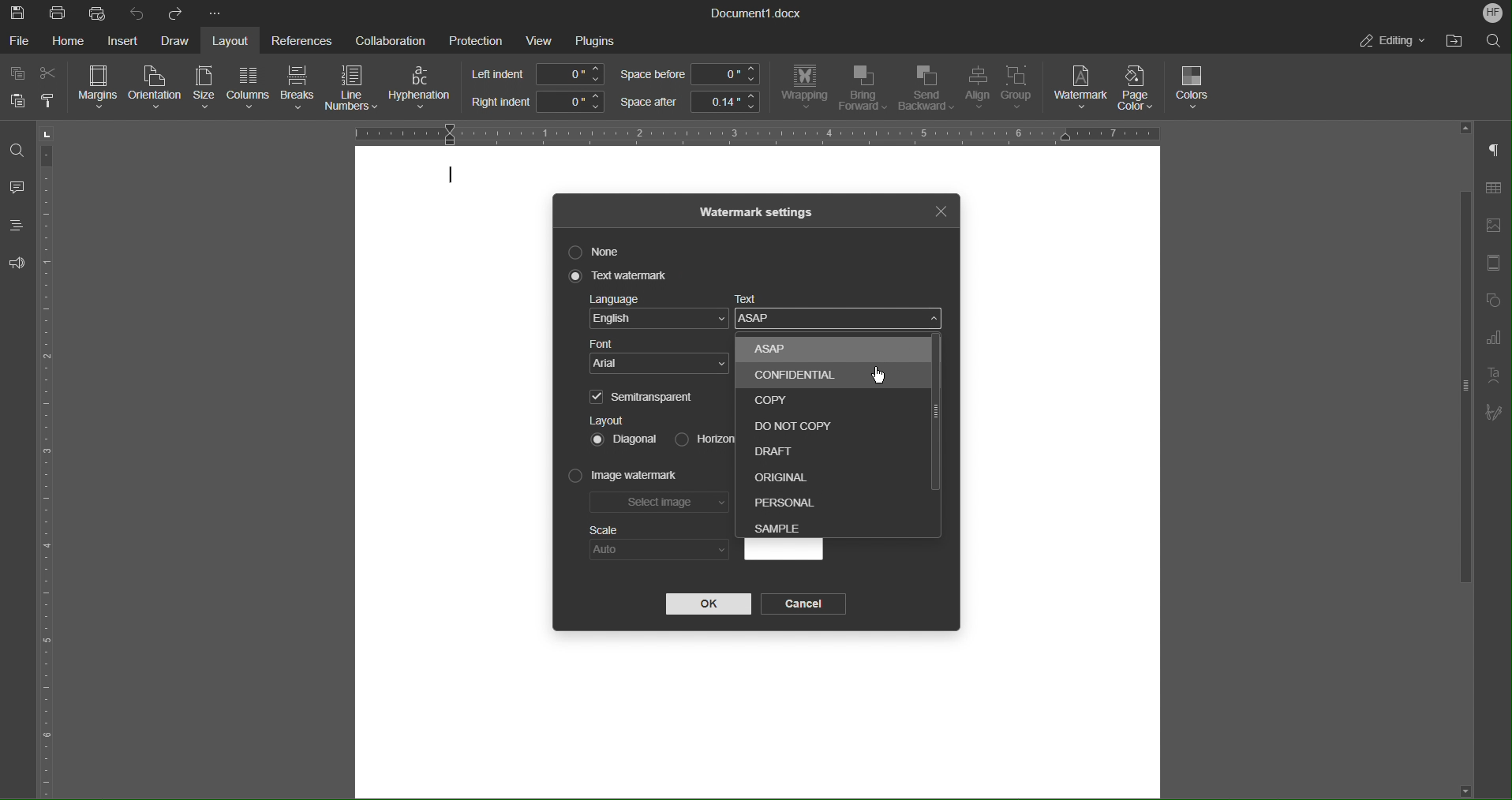  What do you see at coordinates (1493, 39) in the screenshot?
I see `Search` at bounding box center [1493, 39].